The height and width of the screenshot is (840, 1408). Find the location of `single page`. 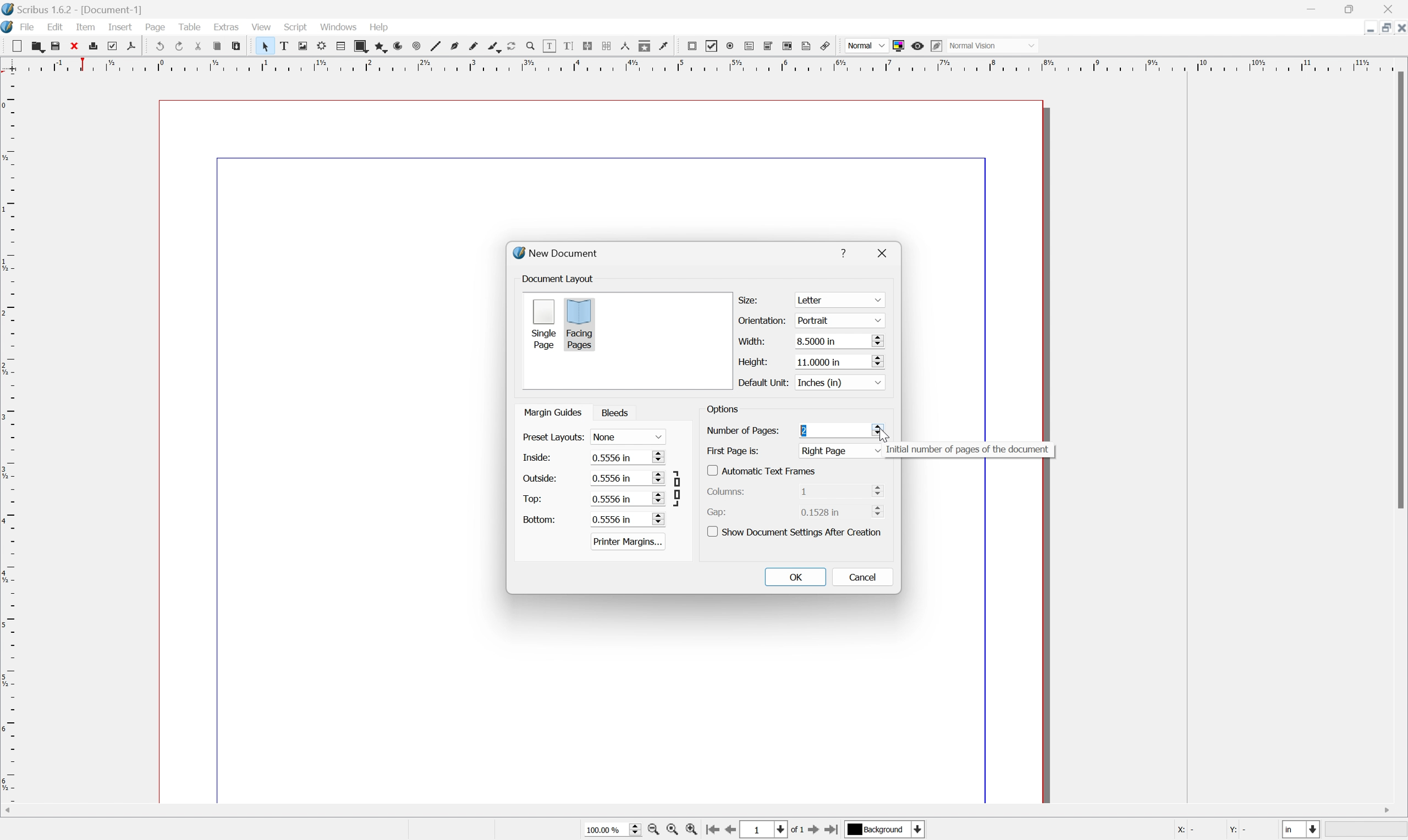

single page is located at coordinates (543, 323).